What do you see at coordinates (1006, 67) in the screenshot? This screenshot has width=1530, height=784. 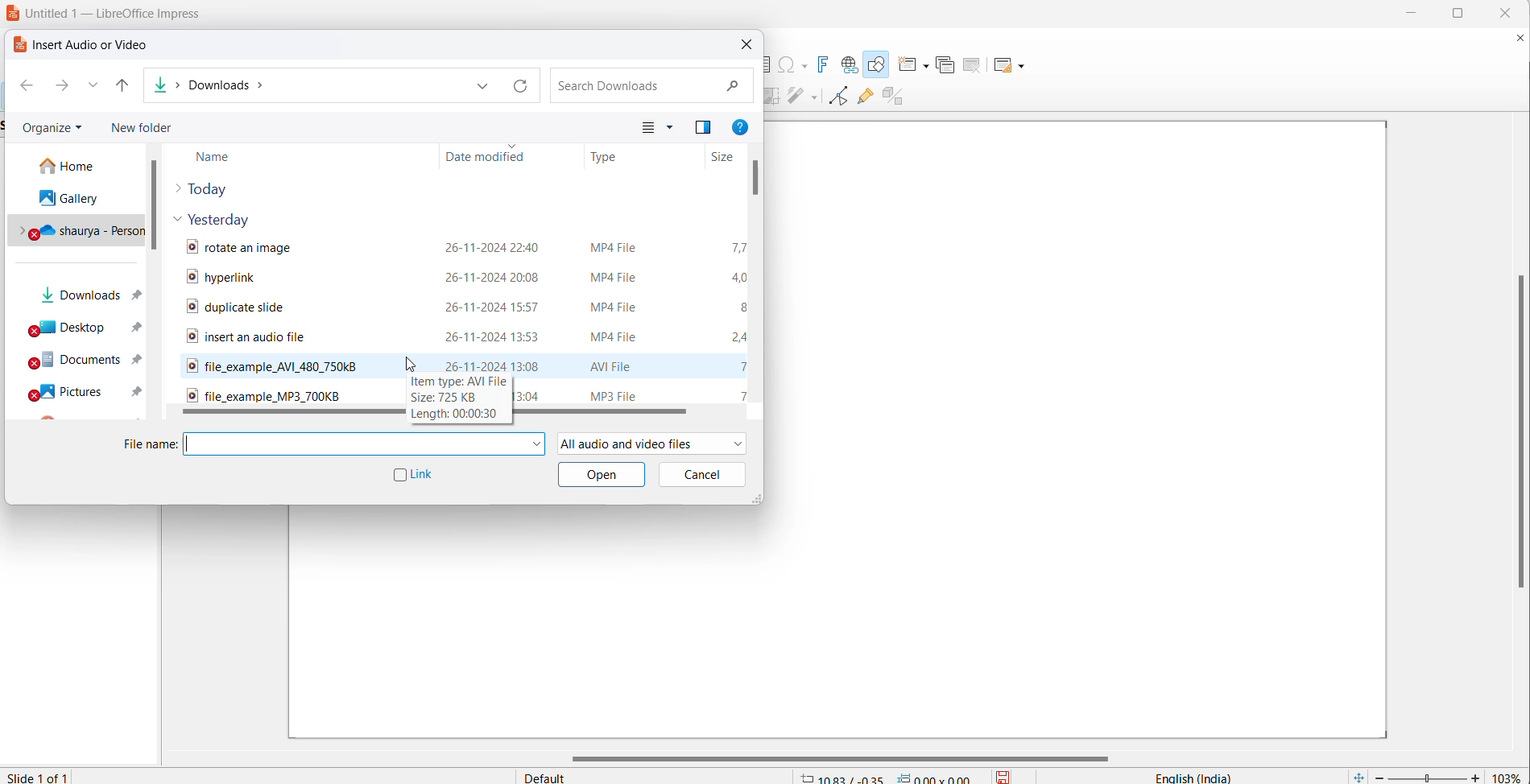 I see `slide layout` at bounding box center [1006, 67].